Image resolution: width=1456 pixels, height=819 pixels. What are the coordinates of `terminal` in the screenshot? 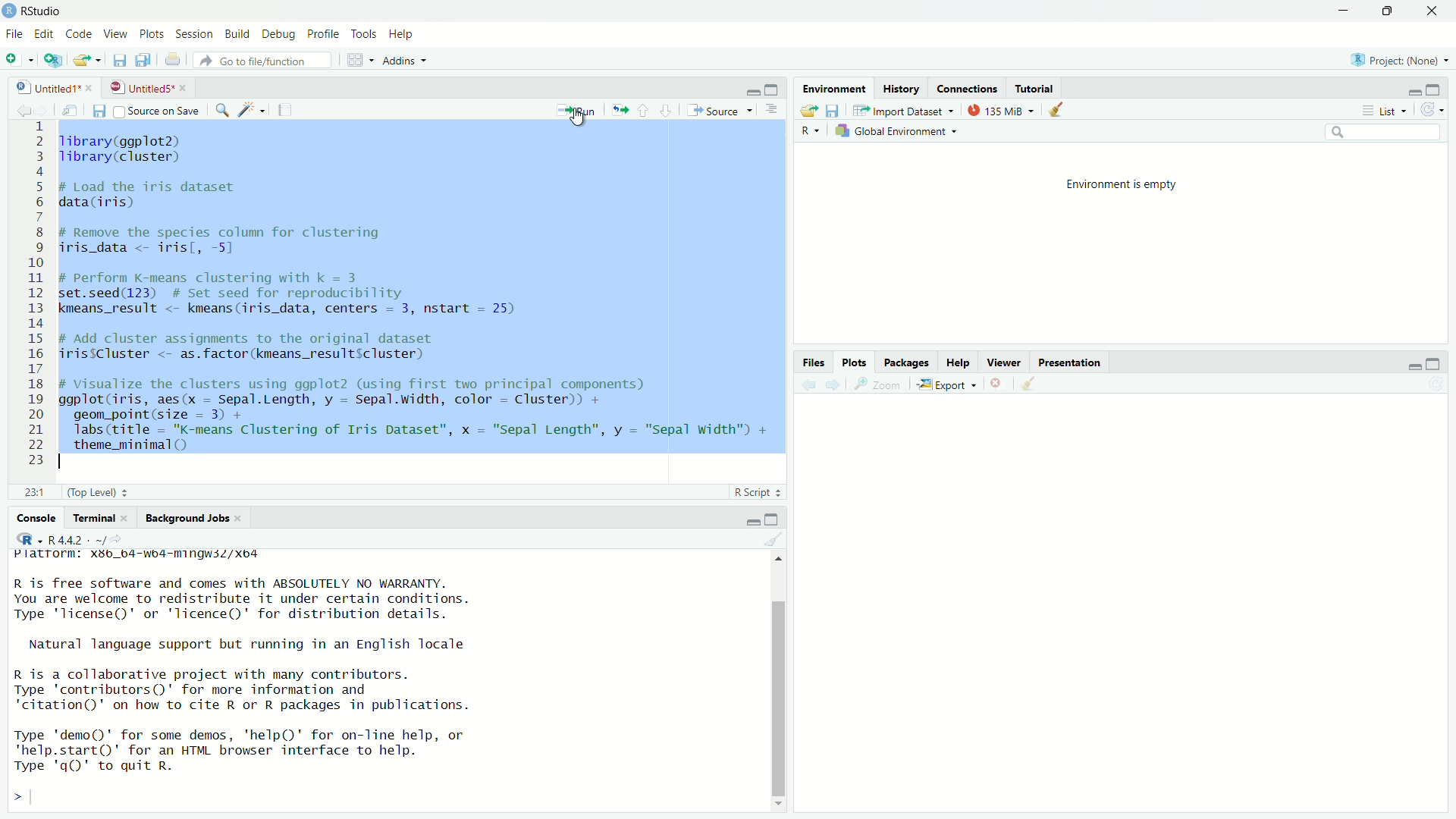 It's located at (93, 517).